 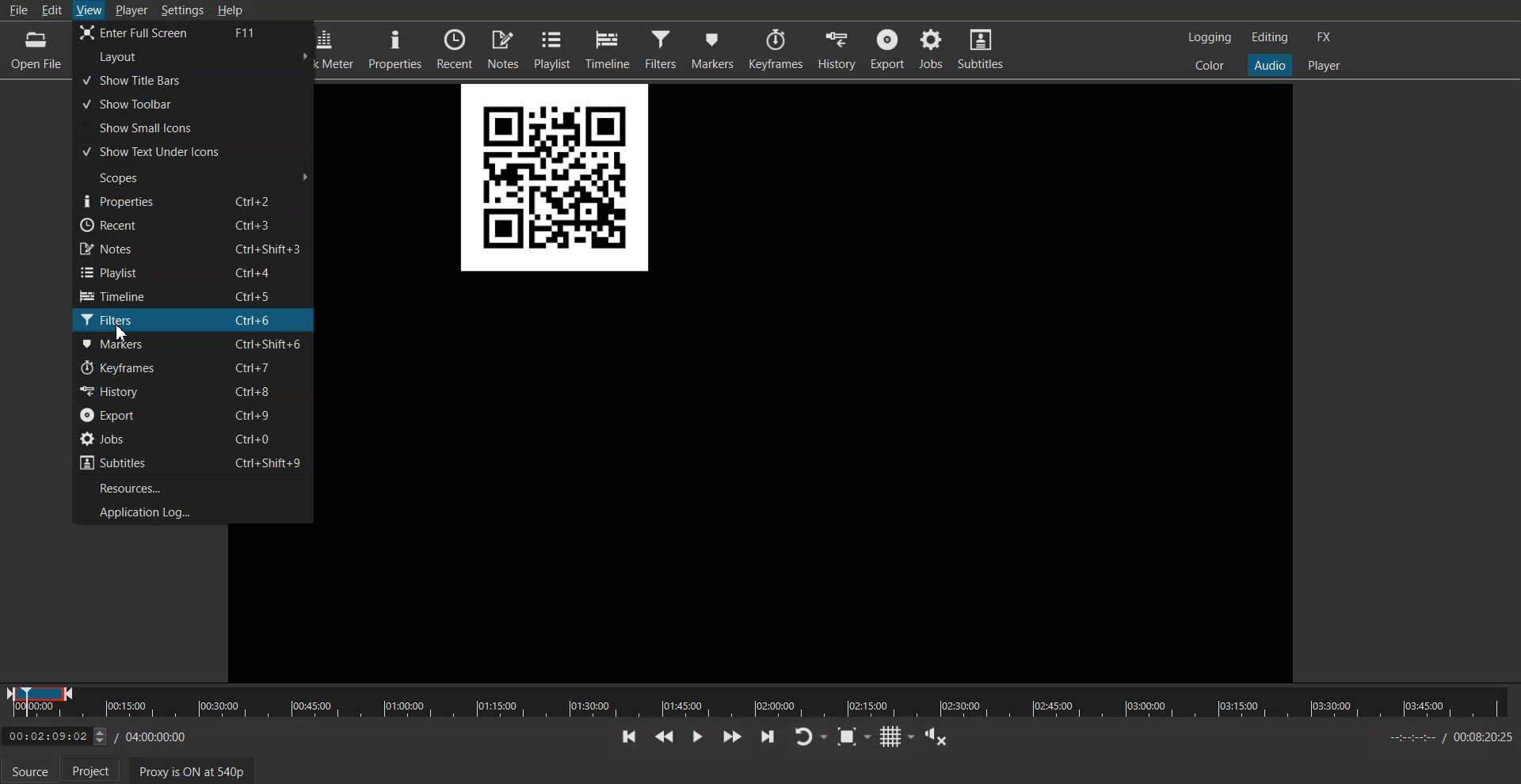 I want to click on Project, so click(x=90, y=770).